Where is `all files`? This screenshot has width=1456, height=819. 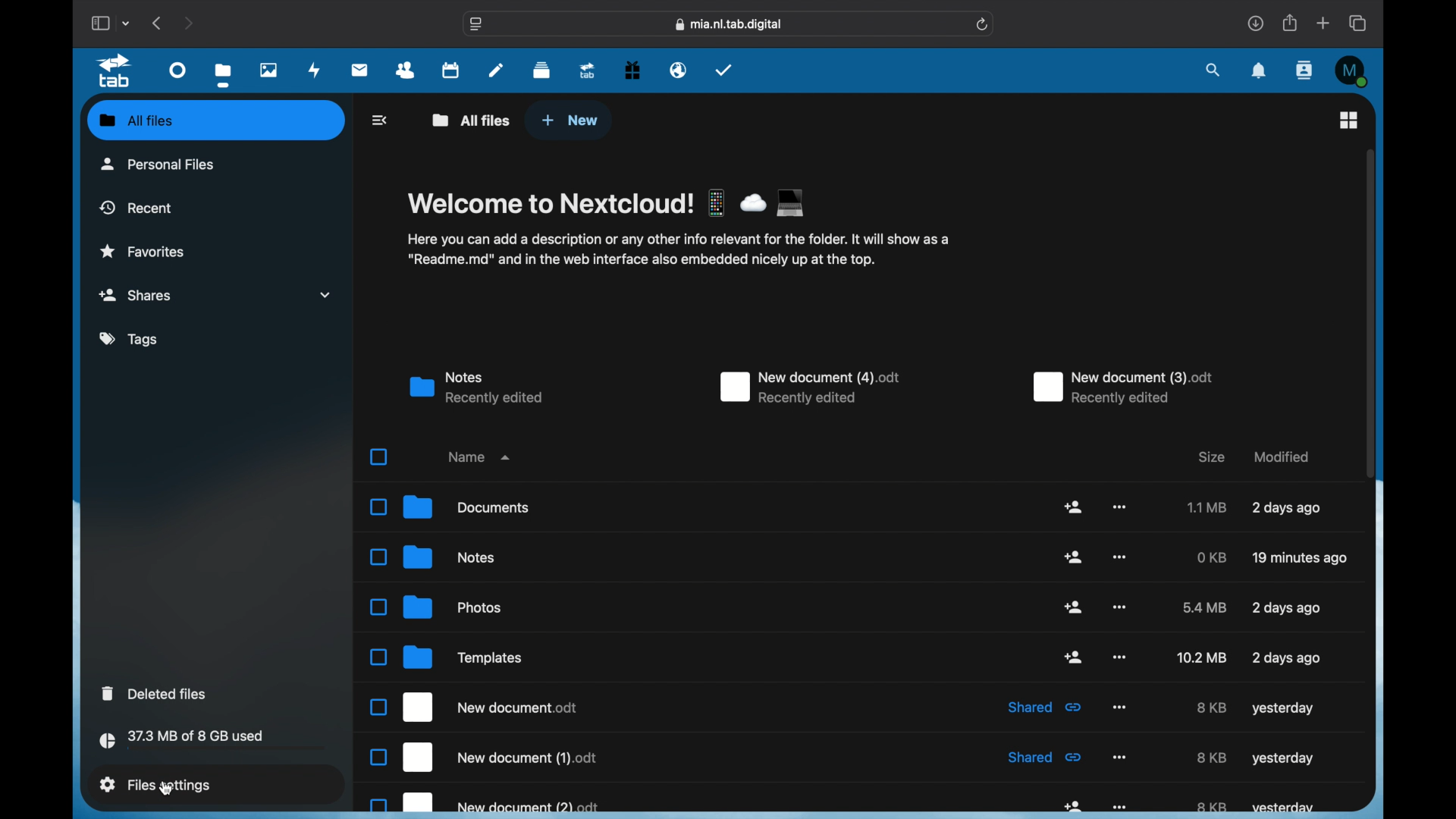 all files is located at coordinates (136, 120).